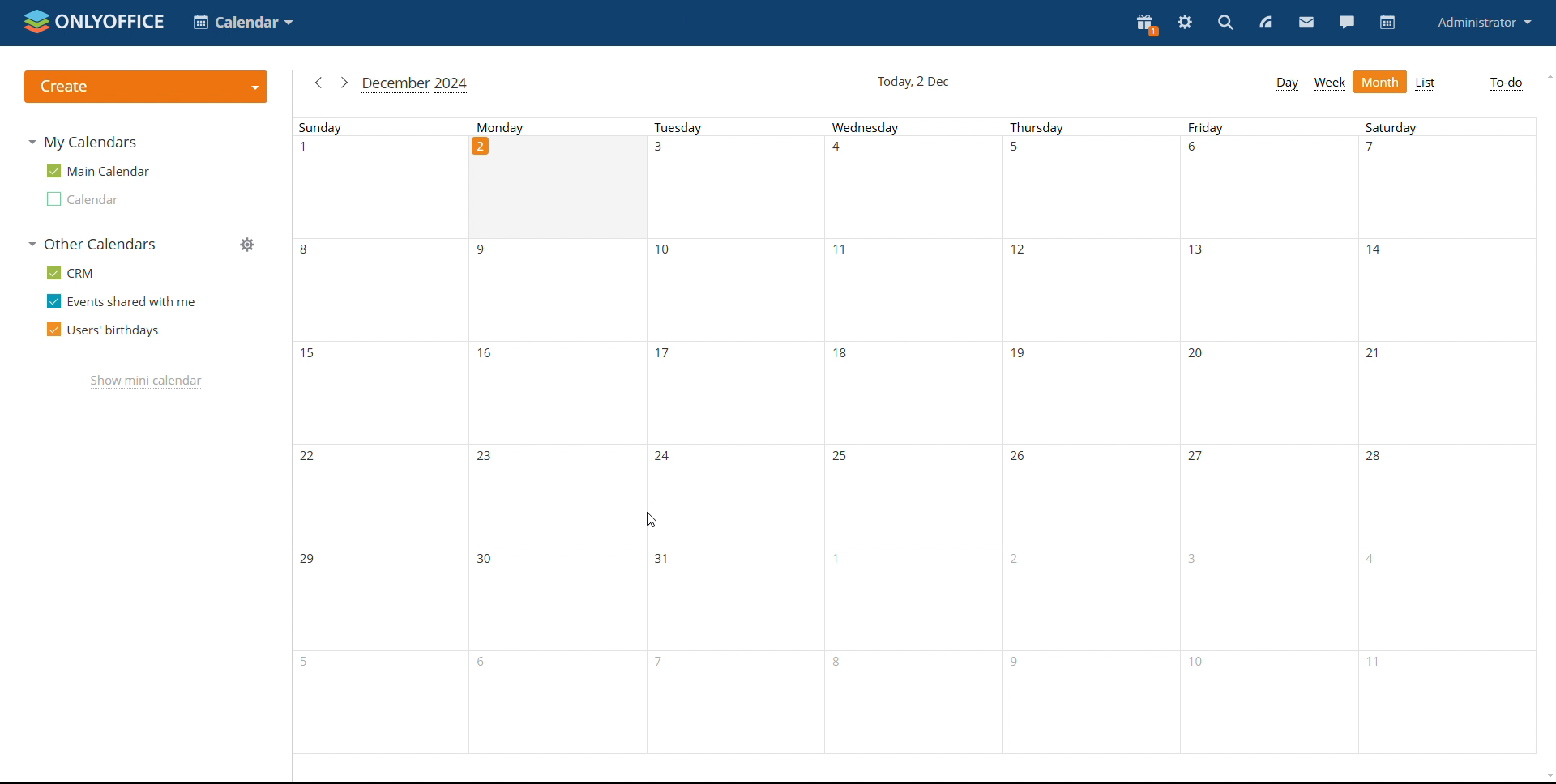  I want to click on list view, so click(1426, 83).